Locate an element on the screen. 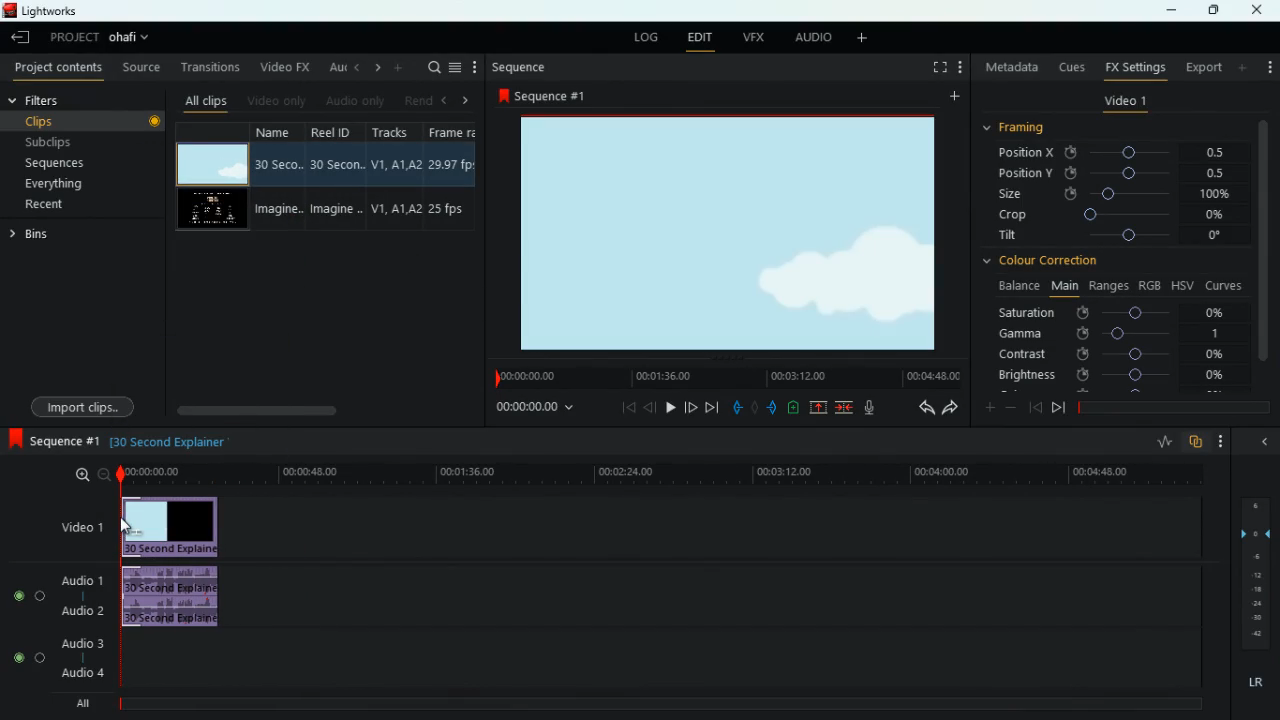  audio only is located at coordinates (352, 101).